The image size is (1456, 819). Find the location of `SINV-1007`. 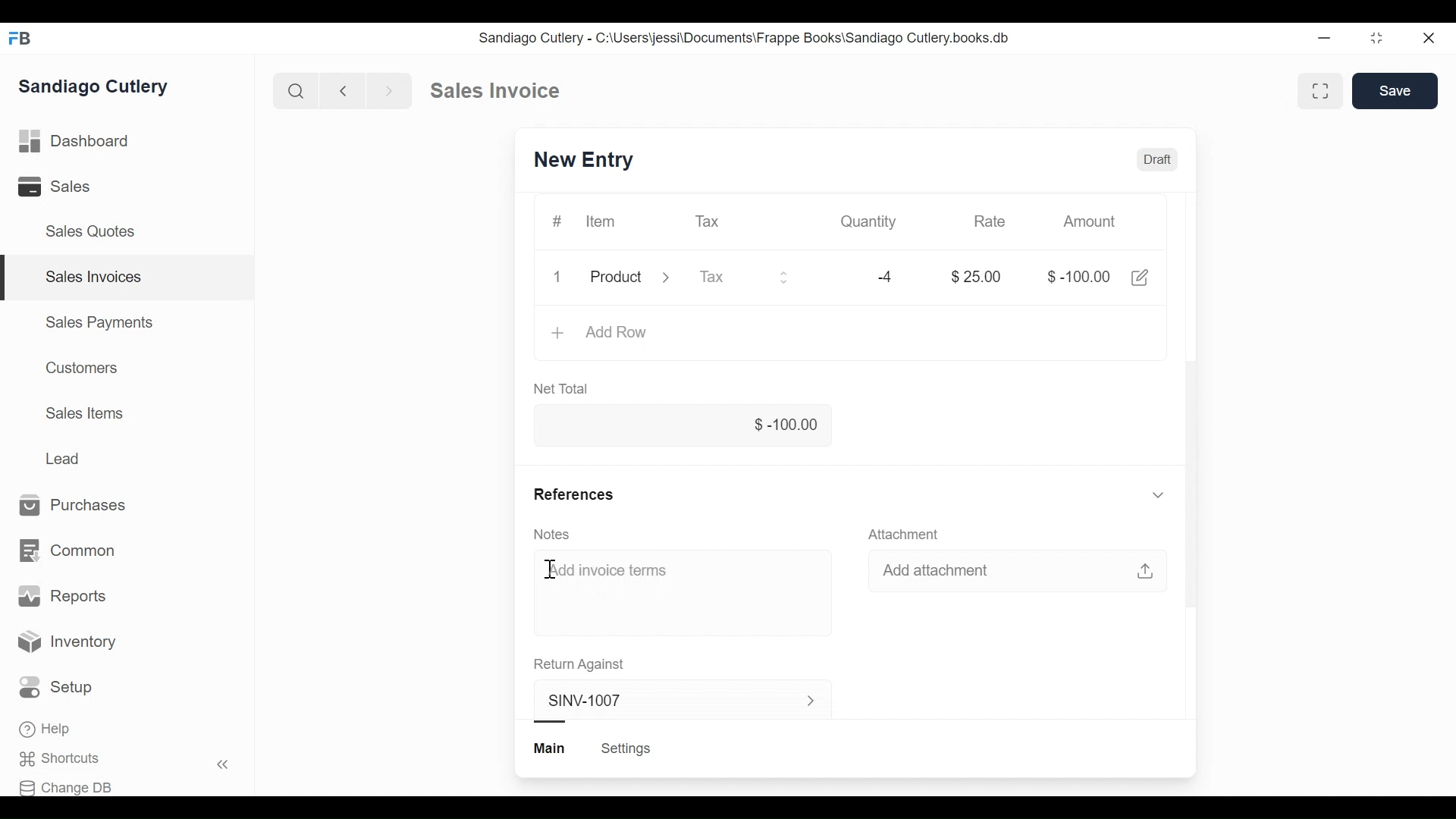

SINV-1007 is located at coordinates (674, 701).